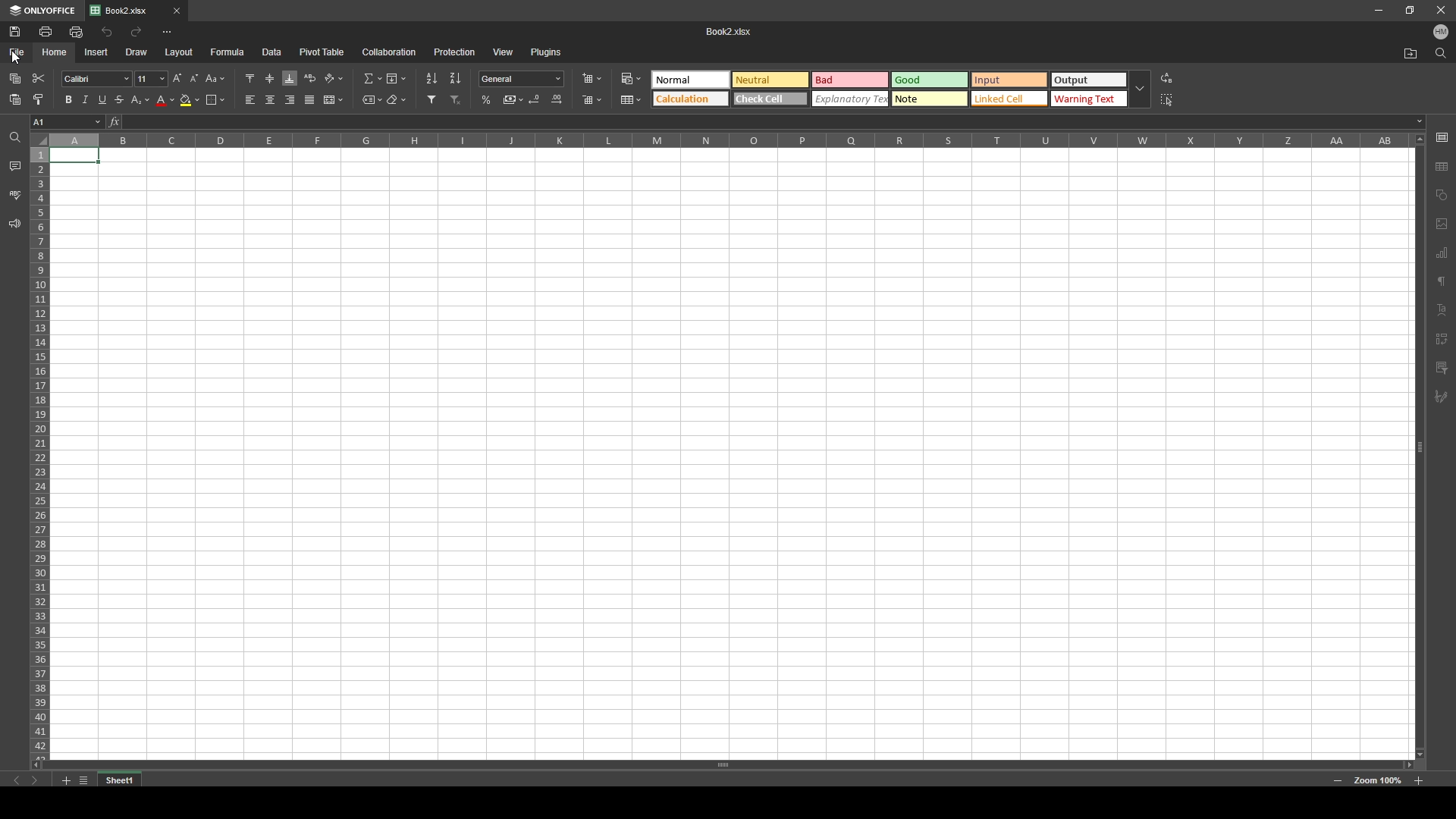 This screenshot has height=819, width=1456. I want to click on remove filter, so click(457, 100).